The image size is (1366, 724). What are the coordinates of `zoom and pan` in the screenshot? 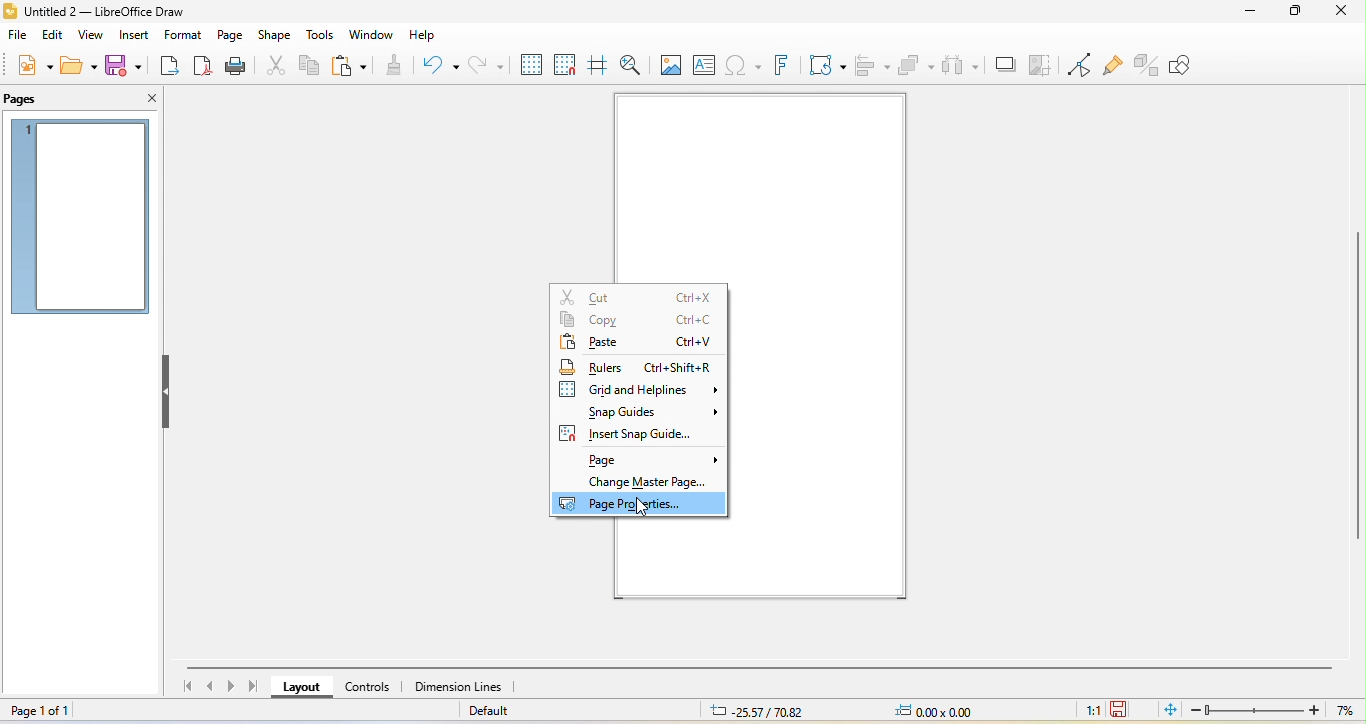 It's located at (628, 65).